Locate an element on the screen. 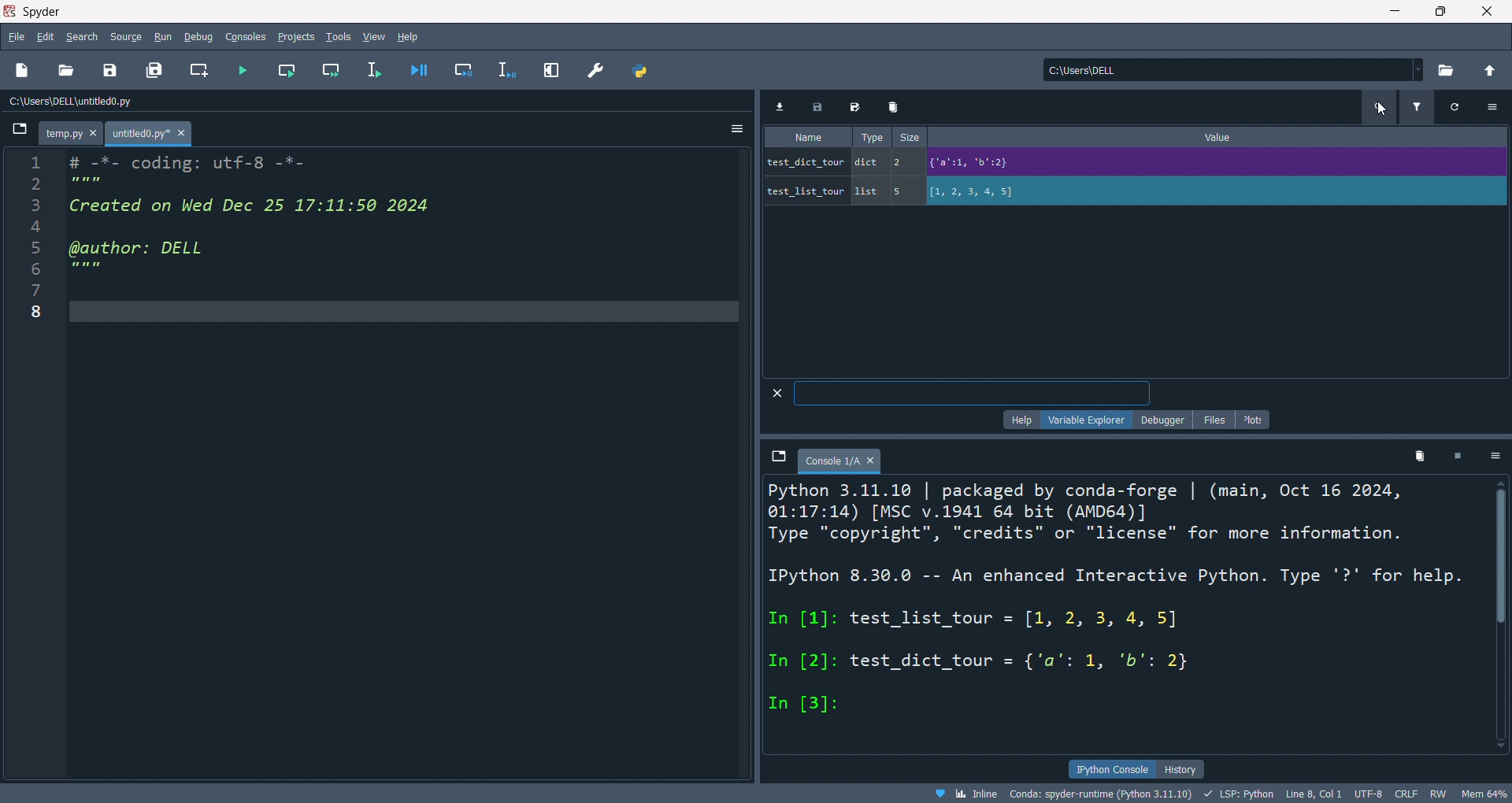 The width and height of the screenshot is (1512, 803). open file is located at coordinates (24, 71).